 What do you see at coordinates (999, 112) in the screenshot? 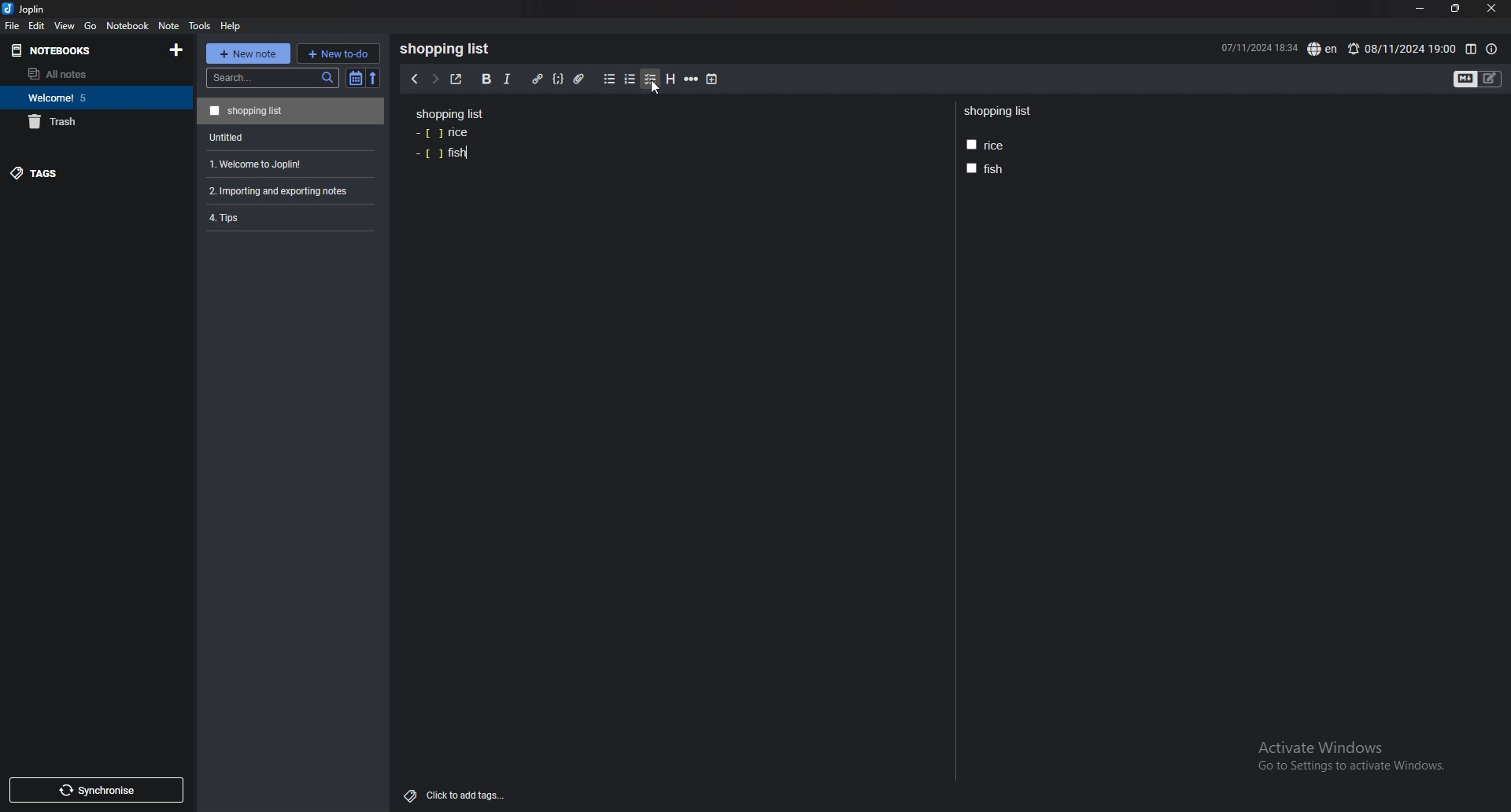
I see `Shopping list` at bounding box center [999, 112].